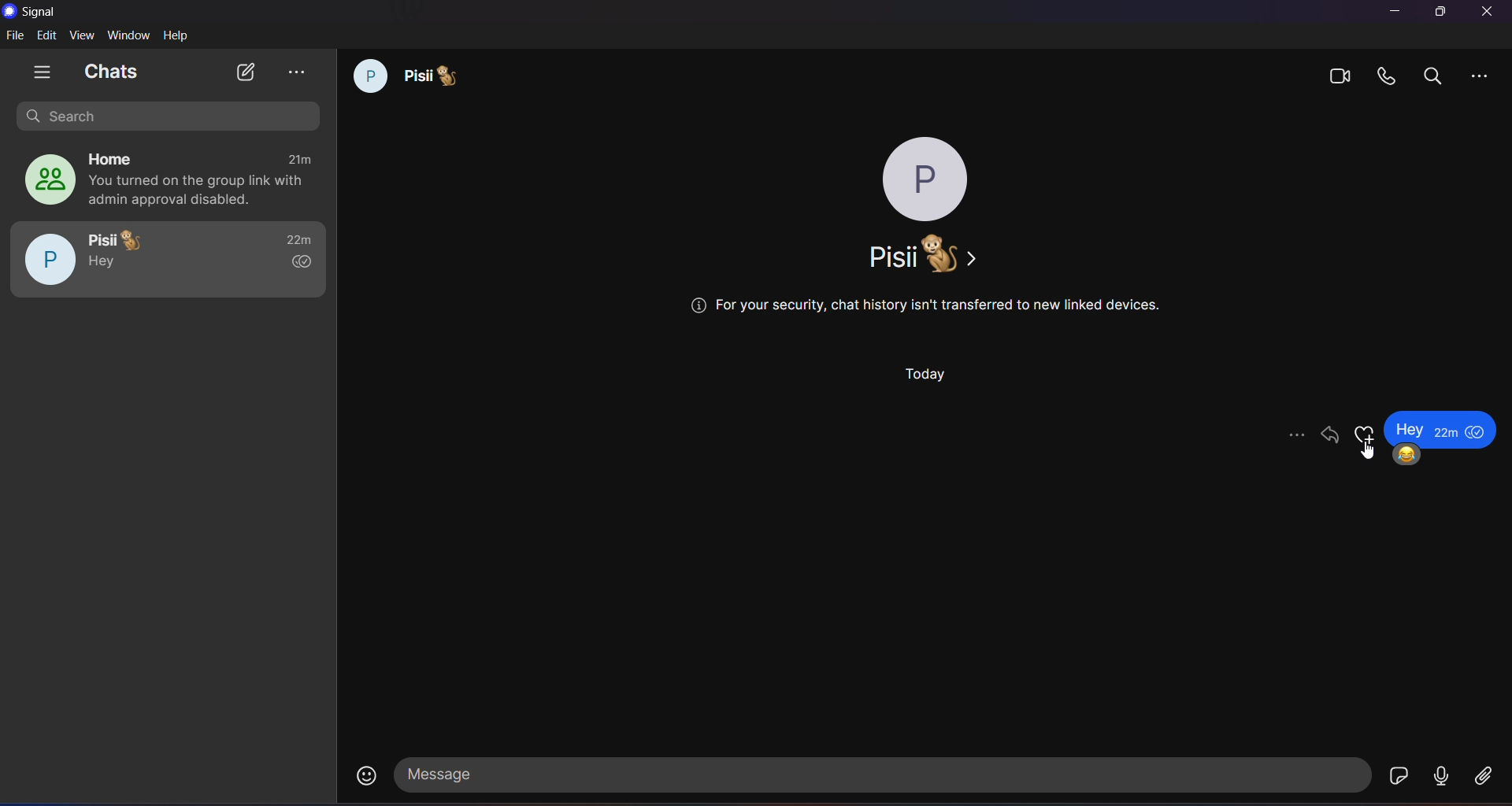 This screenshot has height=806, width=1512. I want to click on voice message, so click(1439, 780).